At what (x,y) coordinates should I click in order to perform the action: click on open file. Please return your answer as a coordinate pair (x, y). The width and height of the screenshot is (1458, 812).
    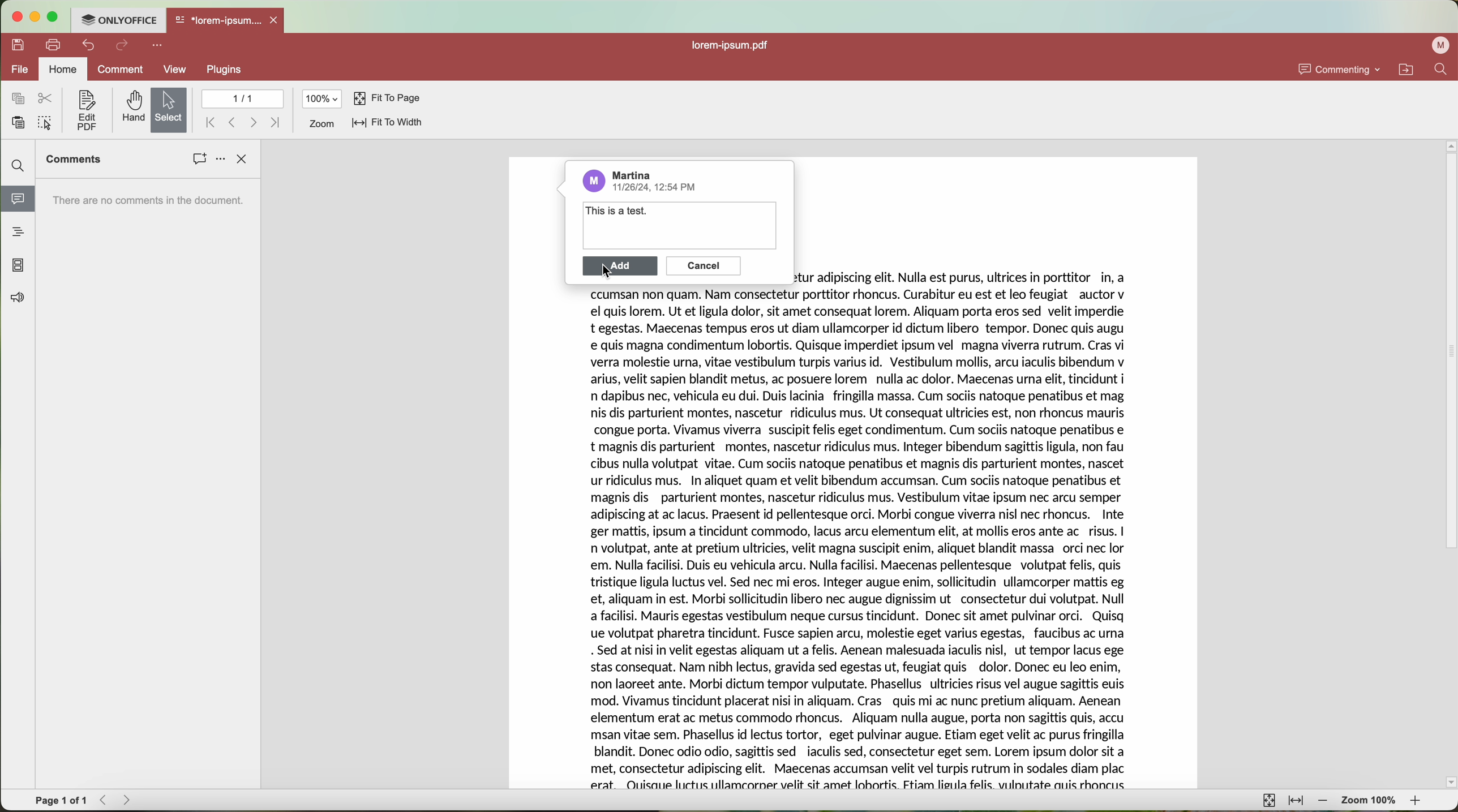
    Looking at the image, I should click on (227, 21).